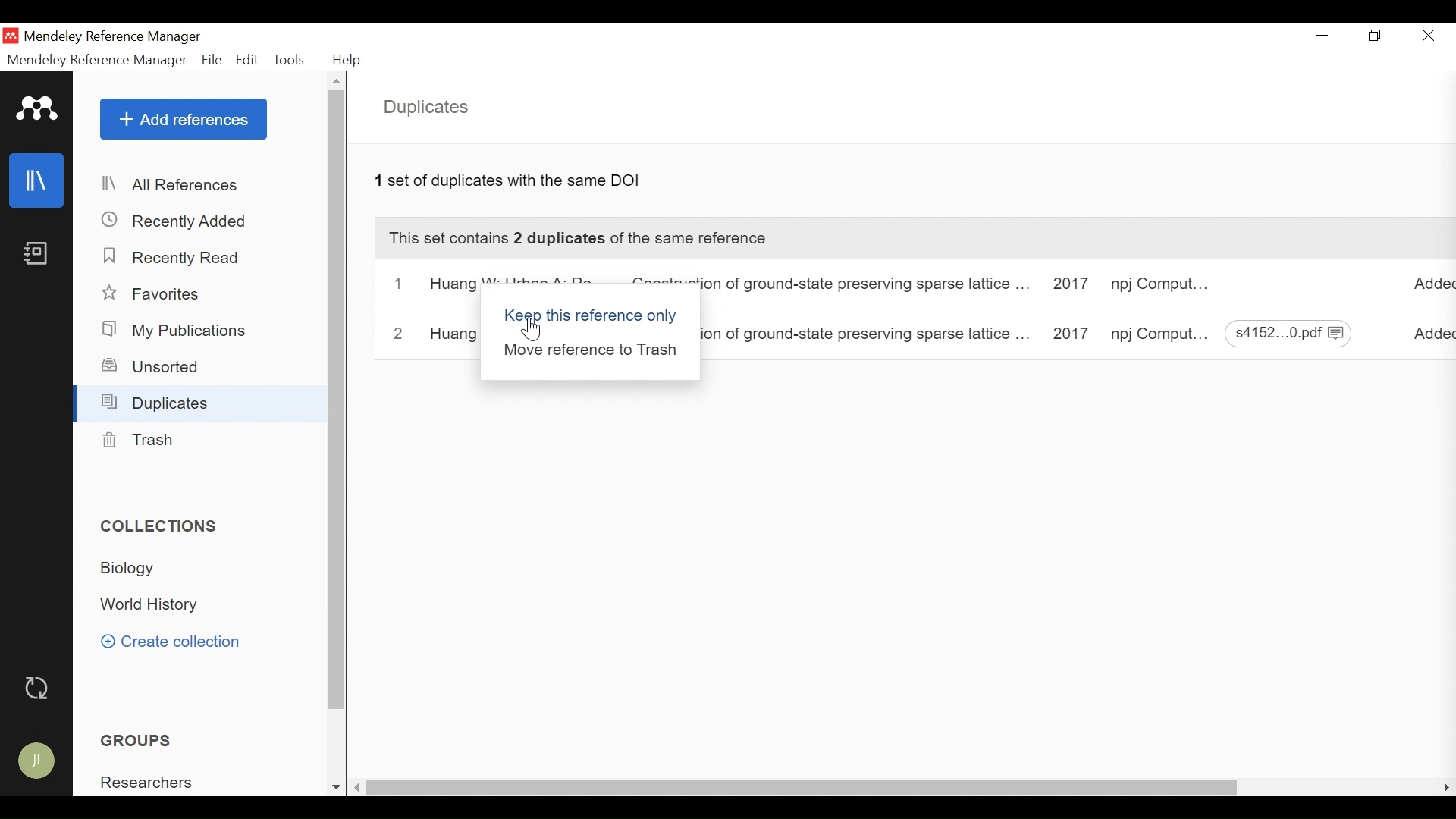  I want to click on Edit, so click(249, 60).